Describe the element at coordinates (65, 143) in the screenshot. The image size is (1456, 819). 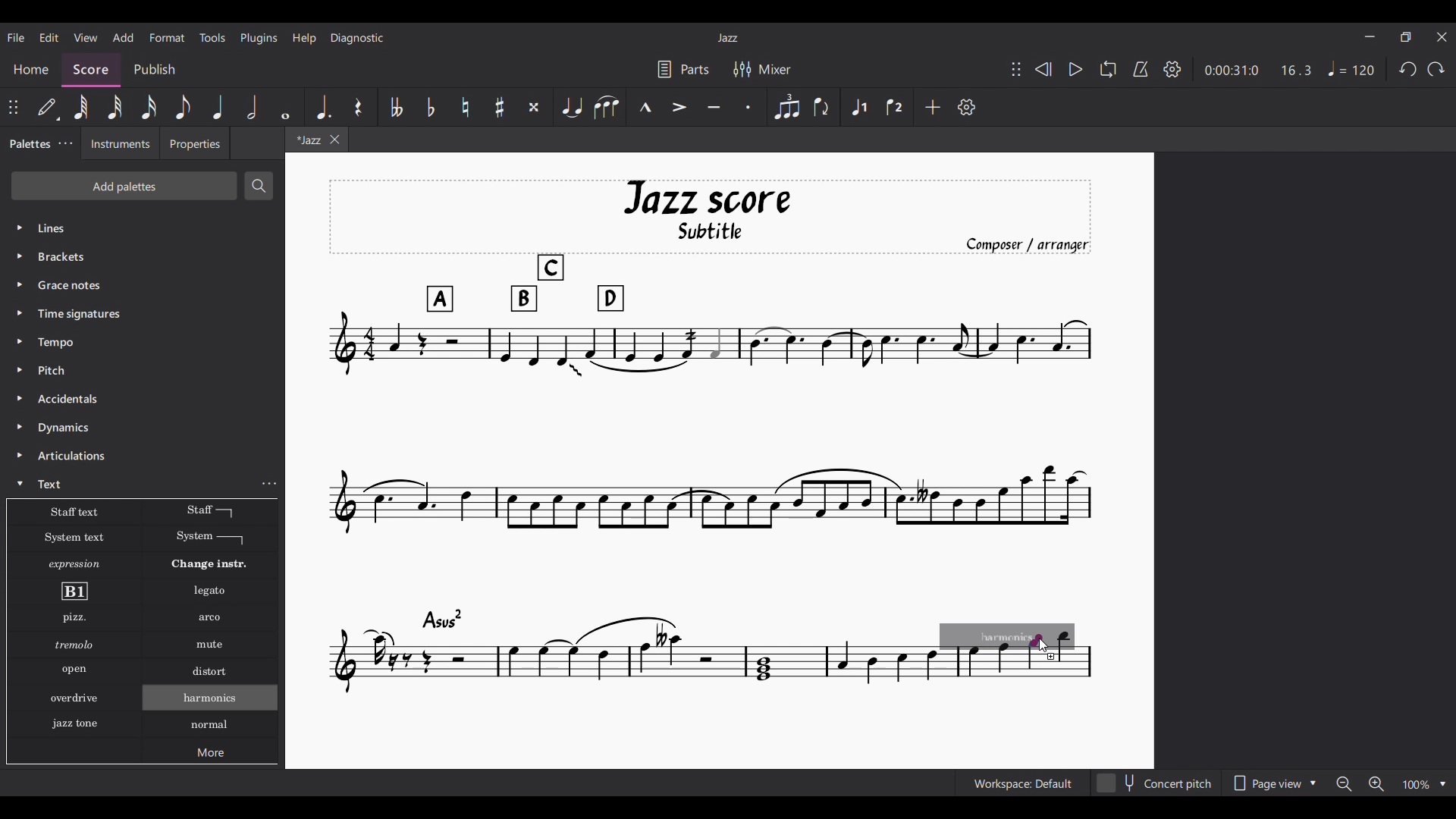
I see `Palette settings` at that location.